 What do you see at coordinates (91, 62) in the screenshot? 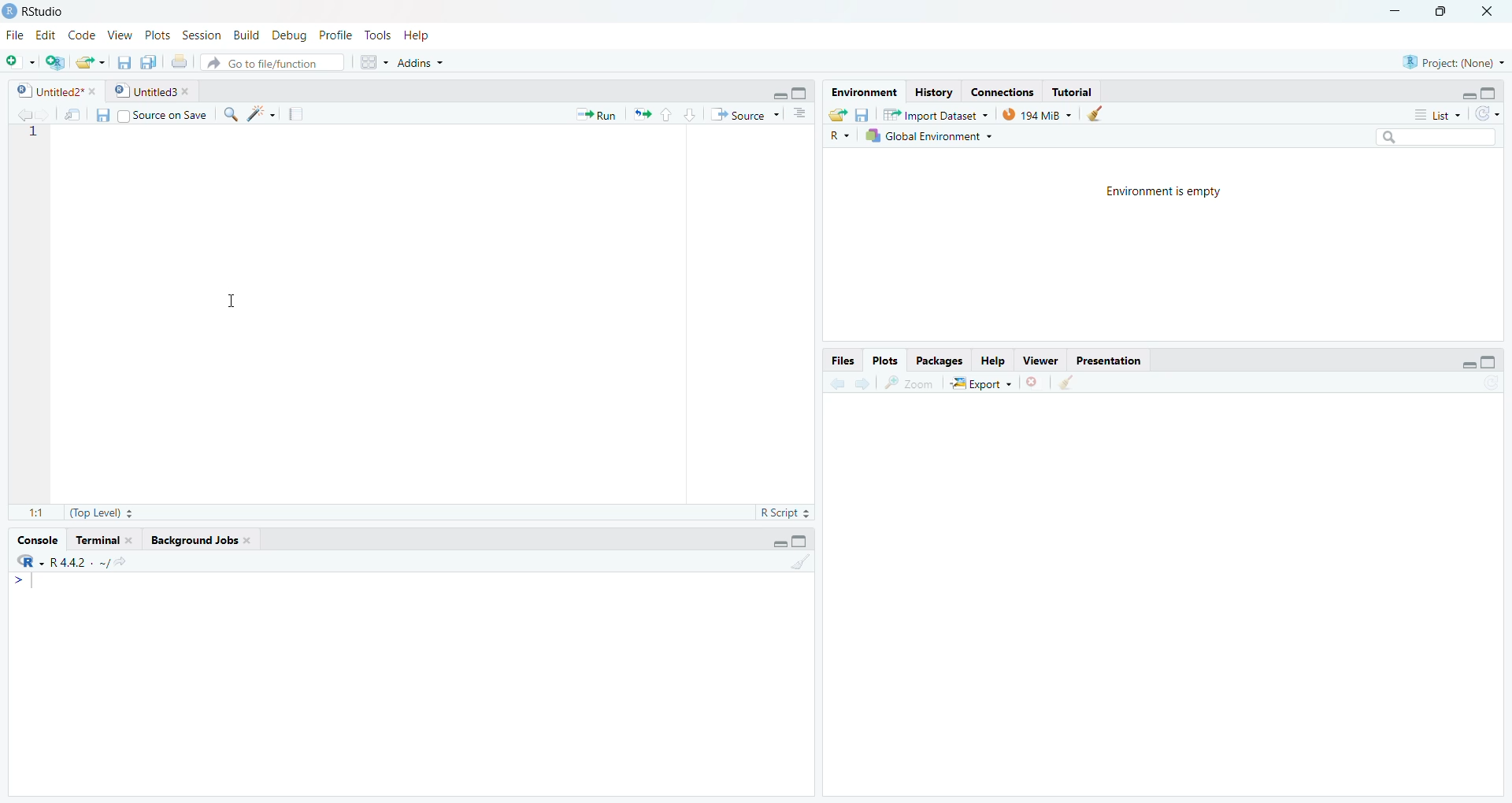
I see `open an exist file` at bounding box center [91, 62].